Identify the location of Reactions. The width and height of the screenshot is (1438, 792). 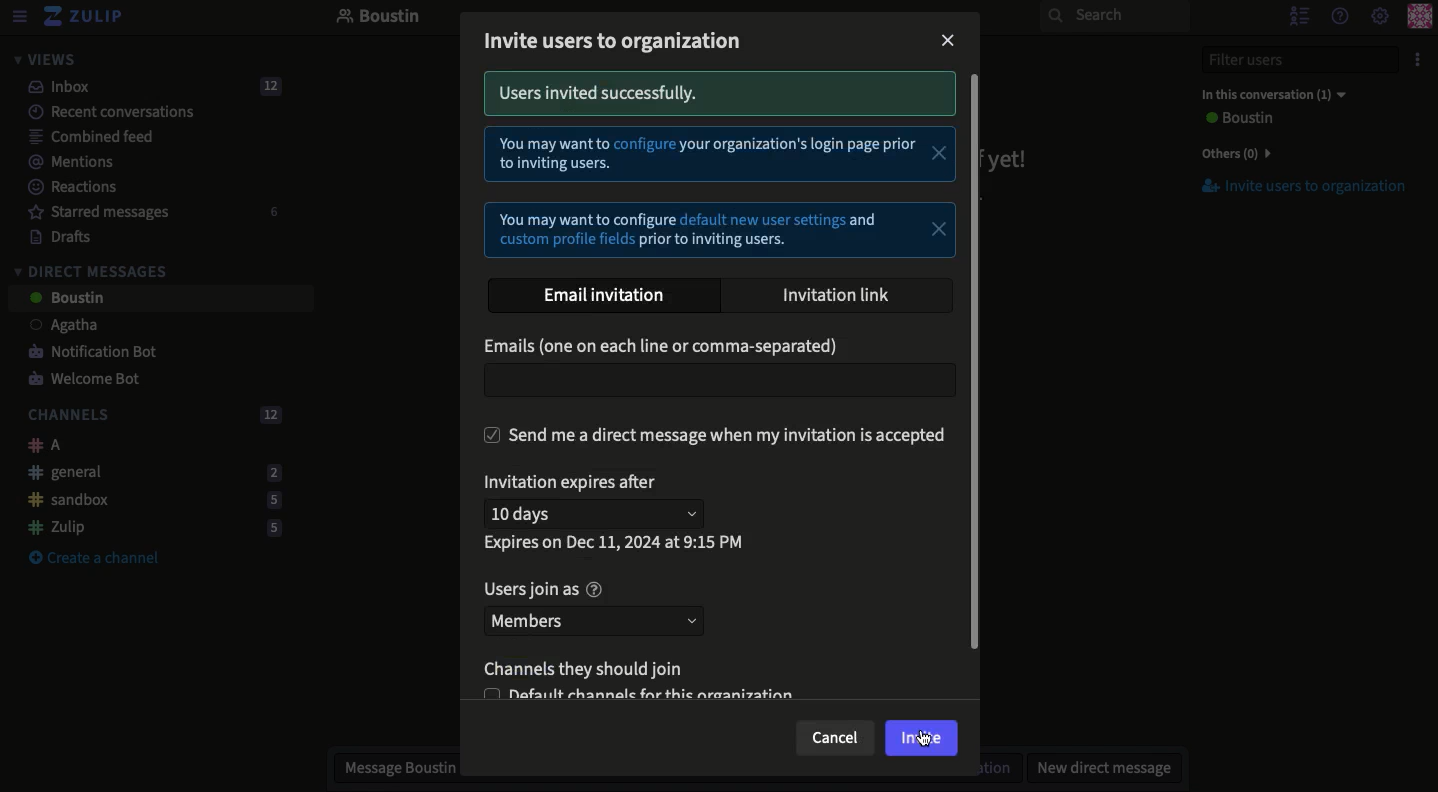
(69, 189).